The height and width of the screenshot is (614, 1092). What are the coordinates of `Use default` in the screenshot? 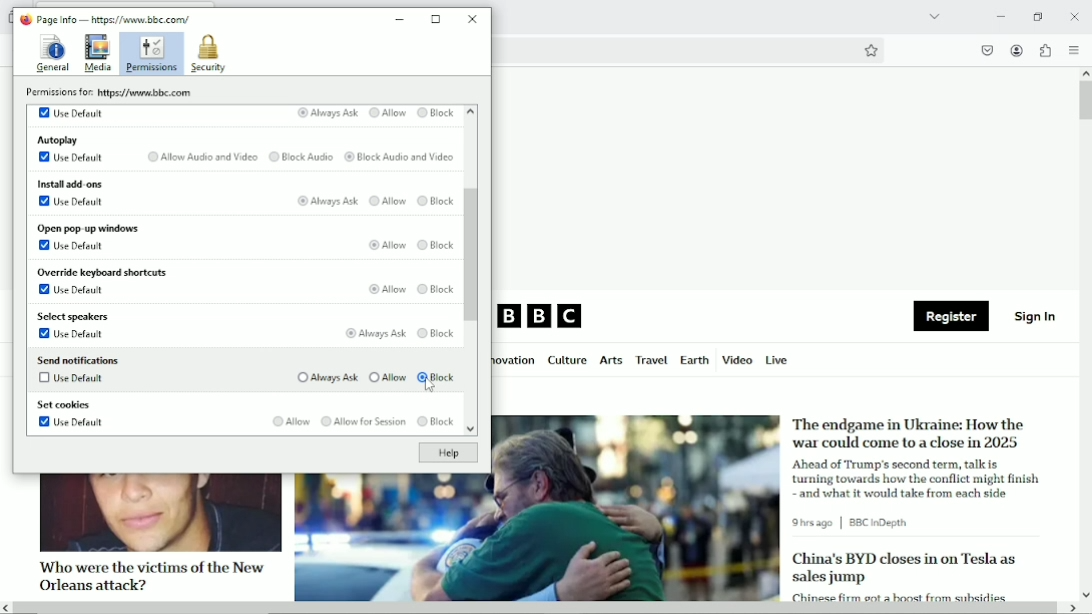 It's located at (72, 381).